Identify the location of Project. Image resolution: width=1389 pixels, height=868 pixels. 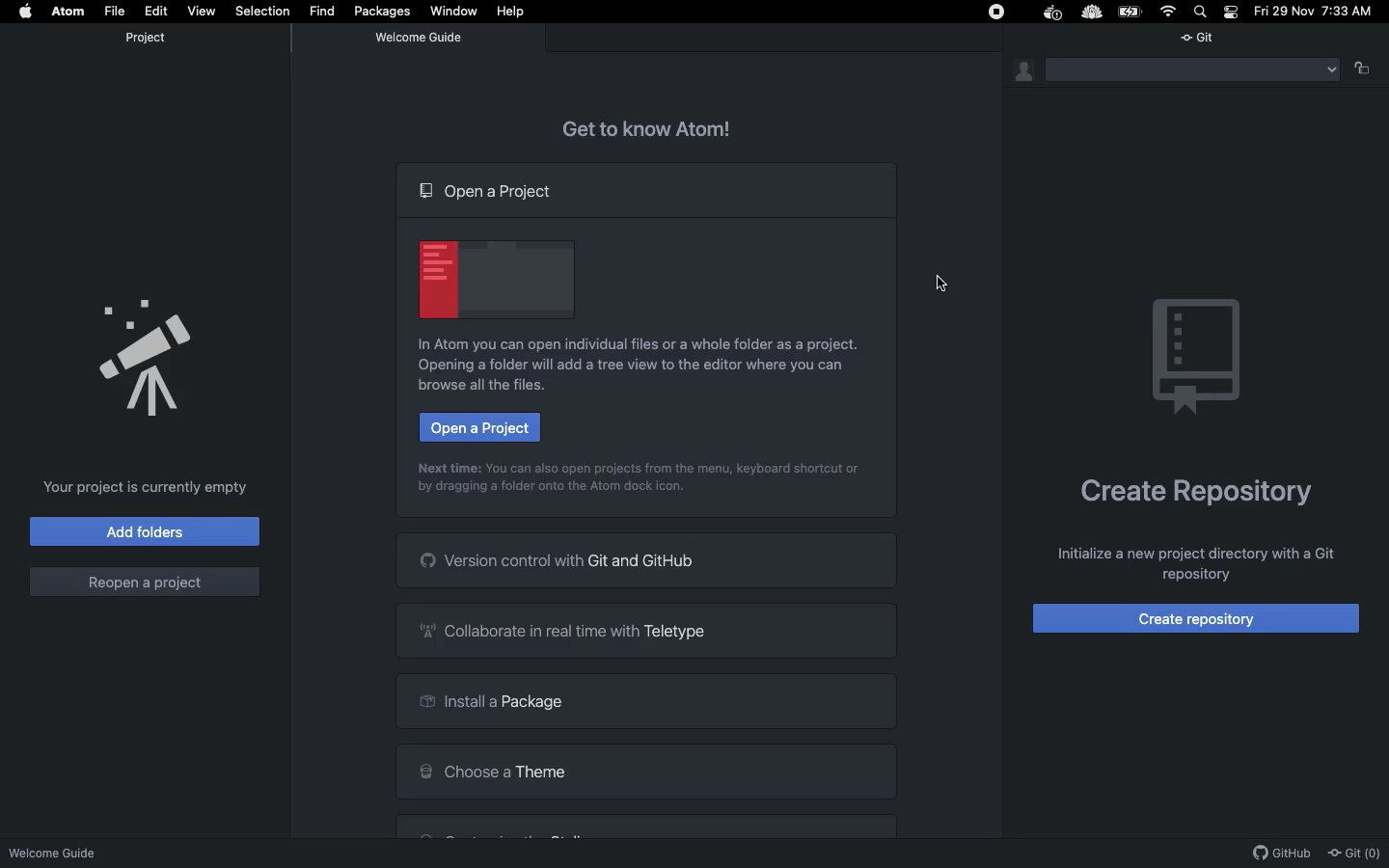
(152, 39).